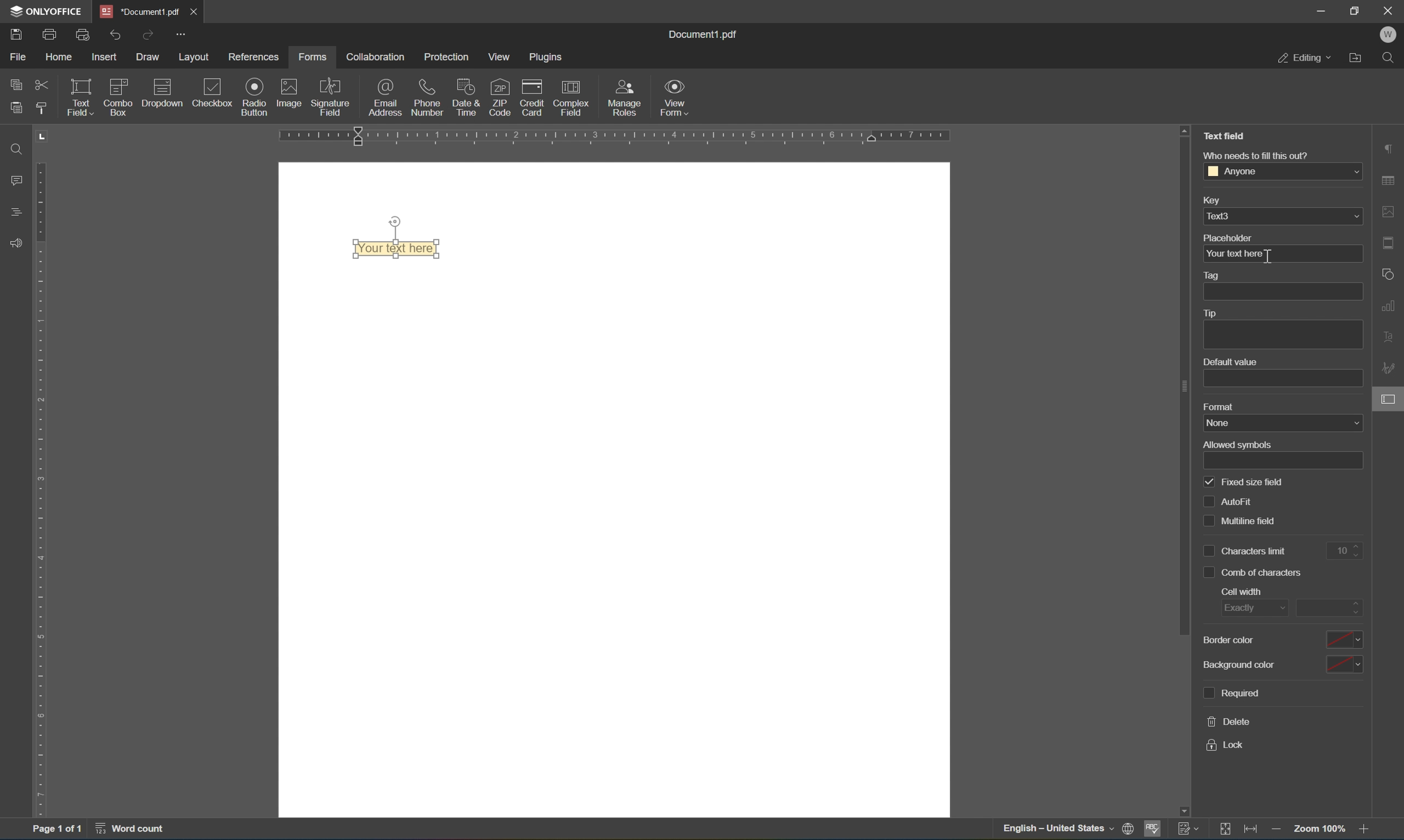 This screenshot has height=840, width=1404. What do you see at coordinates (17, 83) in the screenshot?
I see `copy` at bounding box center [17, 83].